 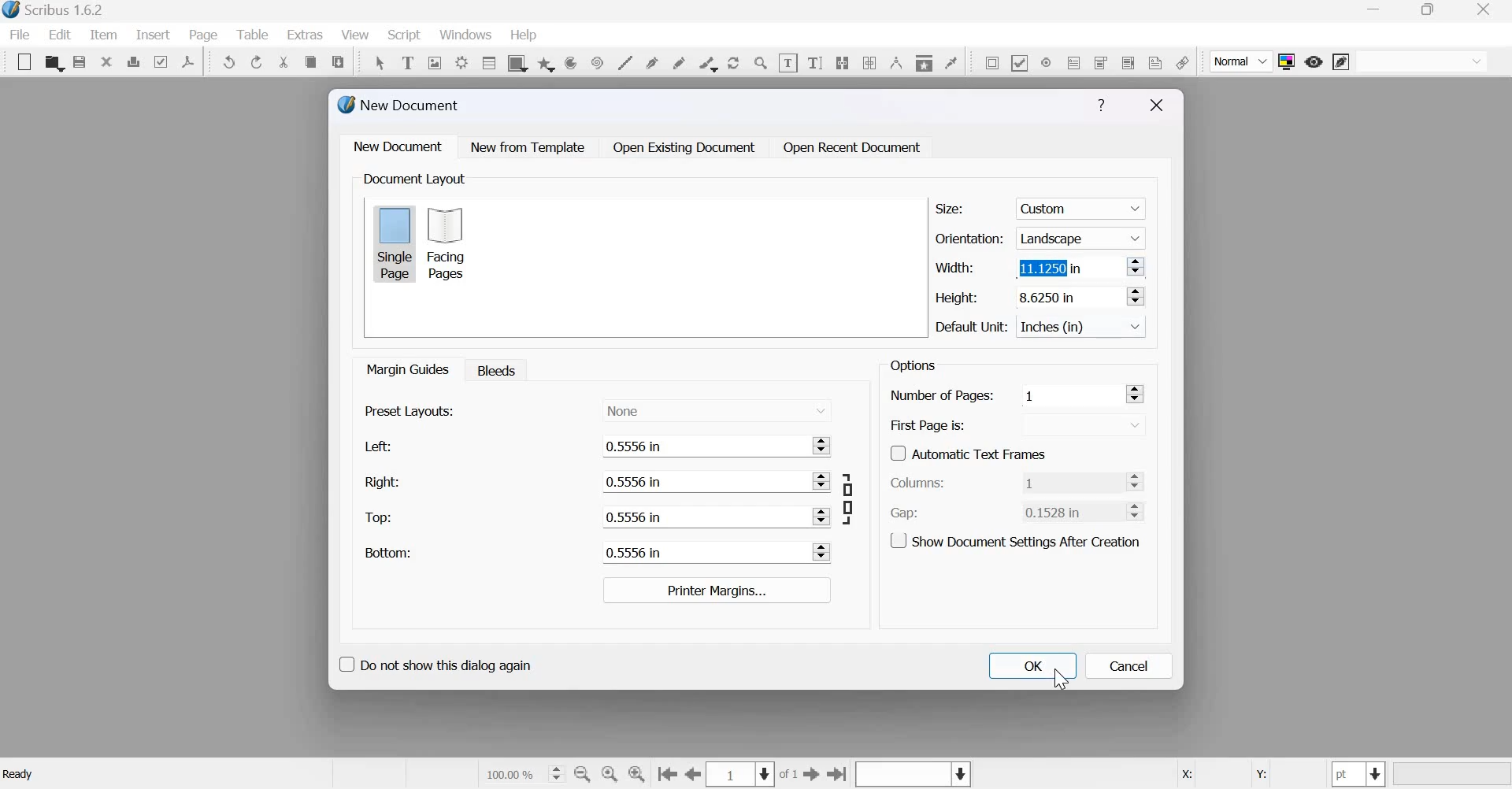 What do you see at coordinates (584, 774) in the screenshot?
I see `zoom out by the stepping values in tool preferences` at bounding box center [584, 774].